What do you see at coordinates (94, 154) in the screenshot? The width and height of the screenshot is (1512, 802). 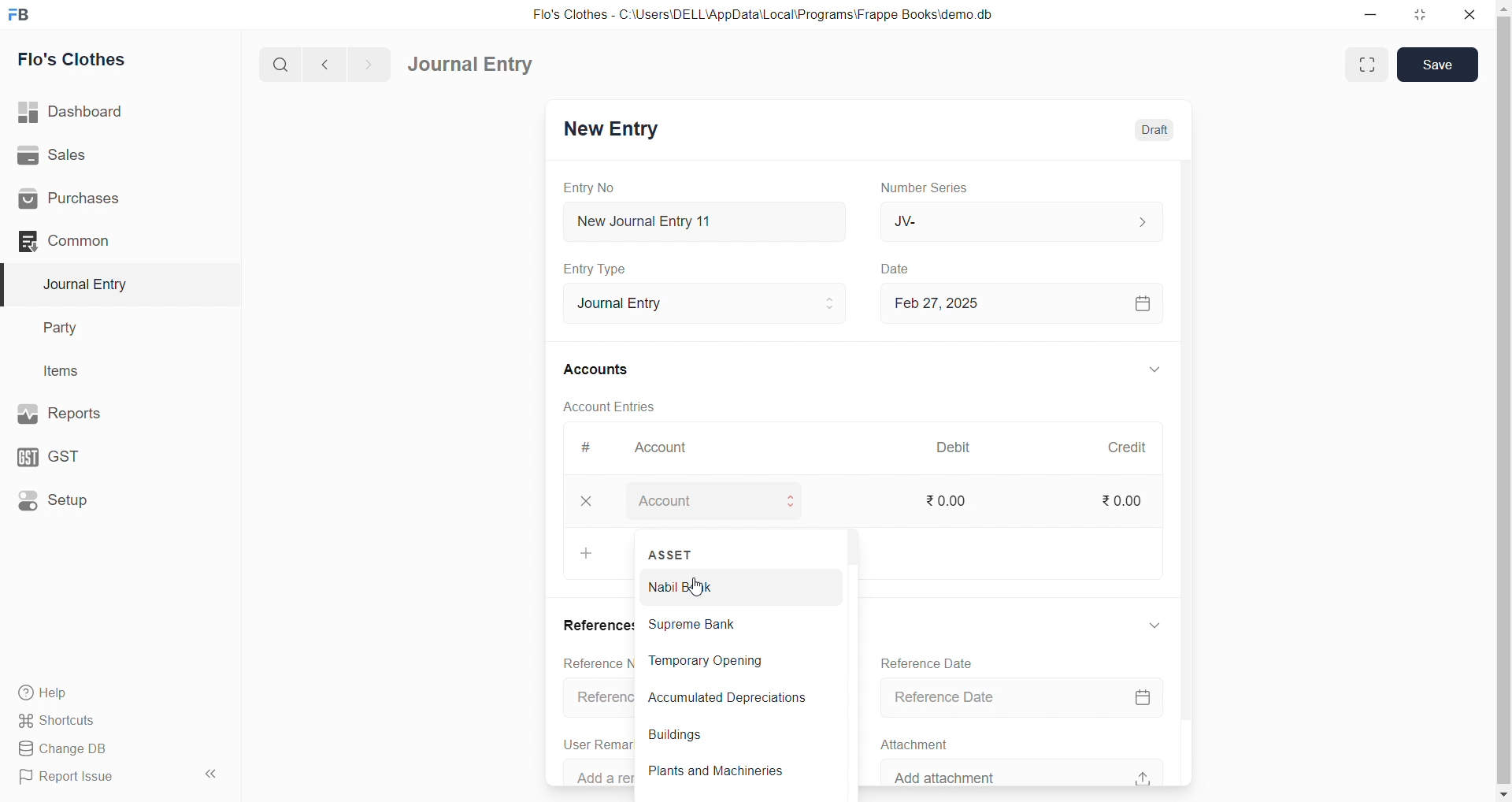 I see `Sales` at bounding box center [94, 154].